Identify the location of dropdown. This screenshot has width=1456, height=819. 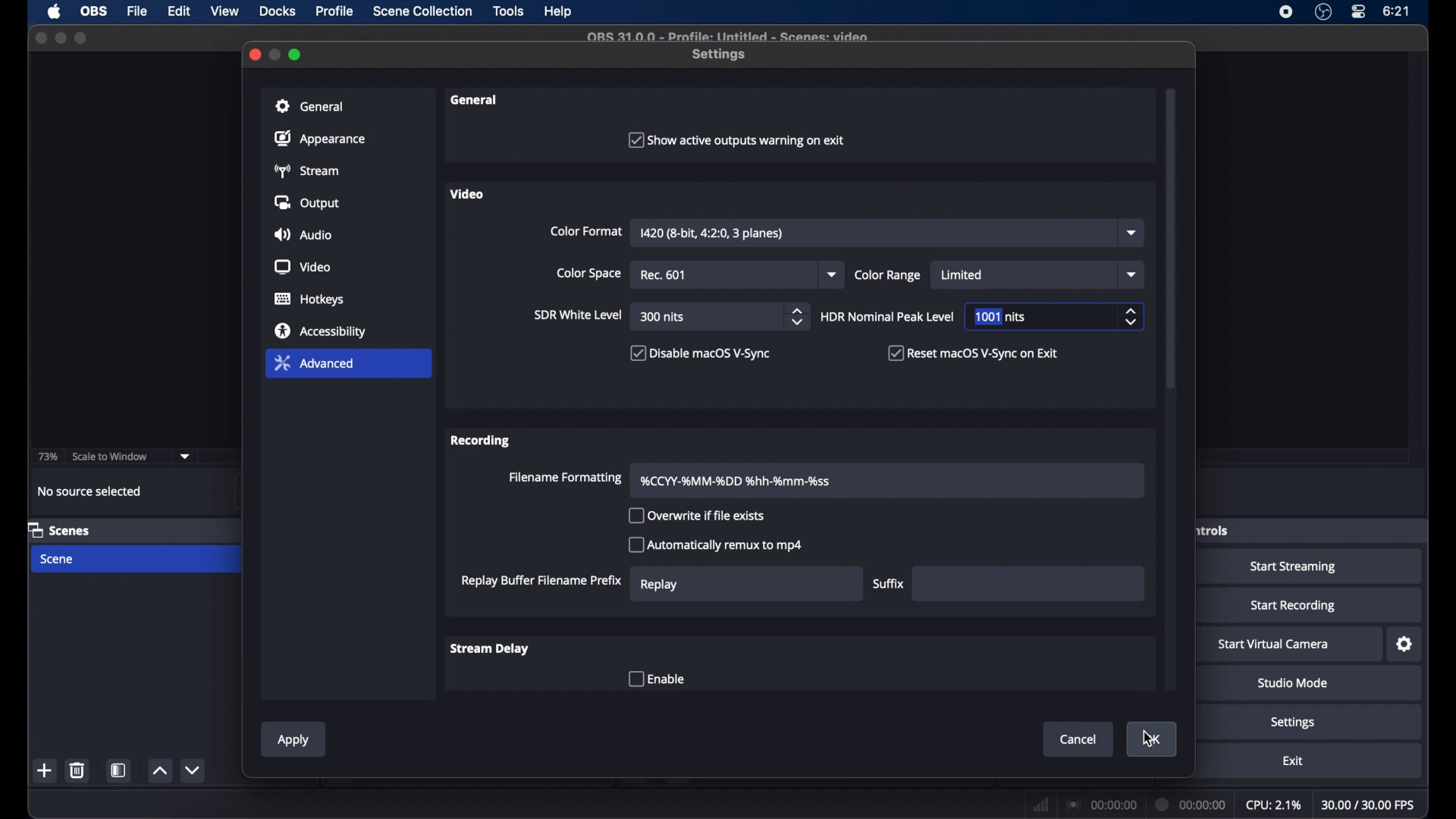
(833, 275).